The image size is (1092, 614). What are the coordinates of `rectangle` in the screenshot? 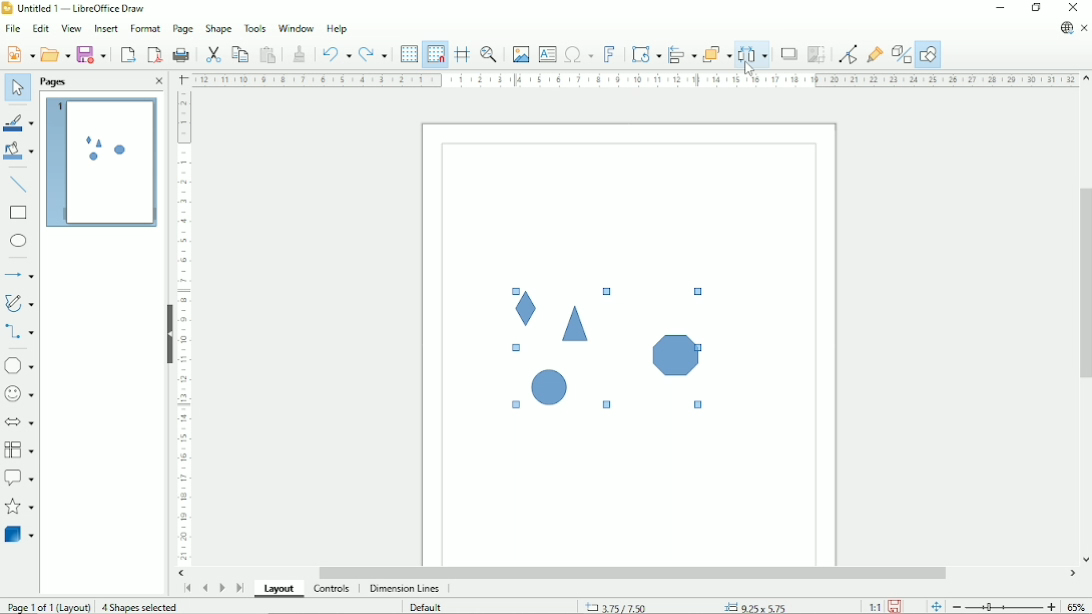 It's located at (18, 213).